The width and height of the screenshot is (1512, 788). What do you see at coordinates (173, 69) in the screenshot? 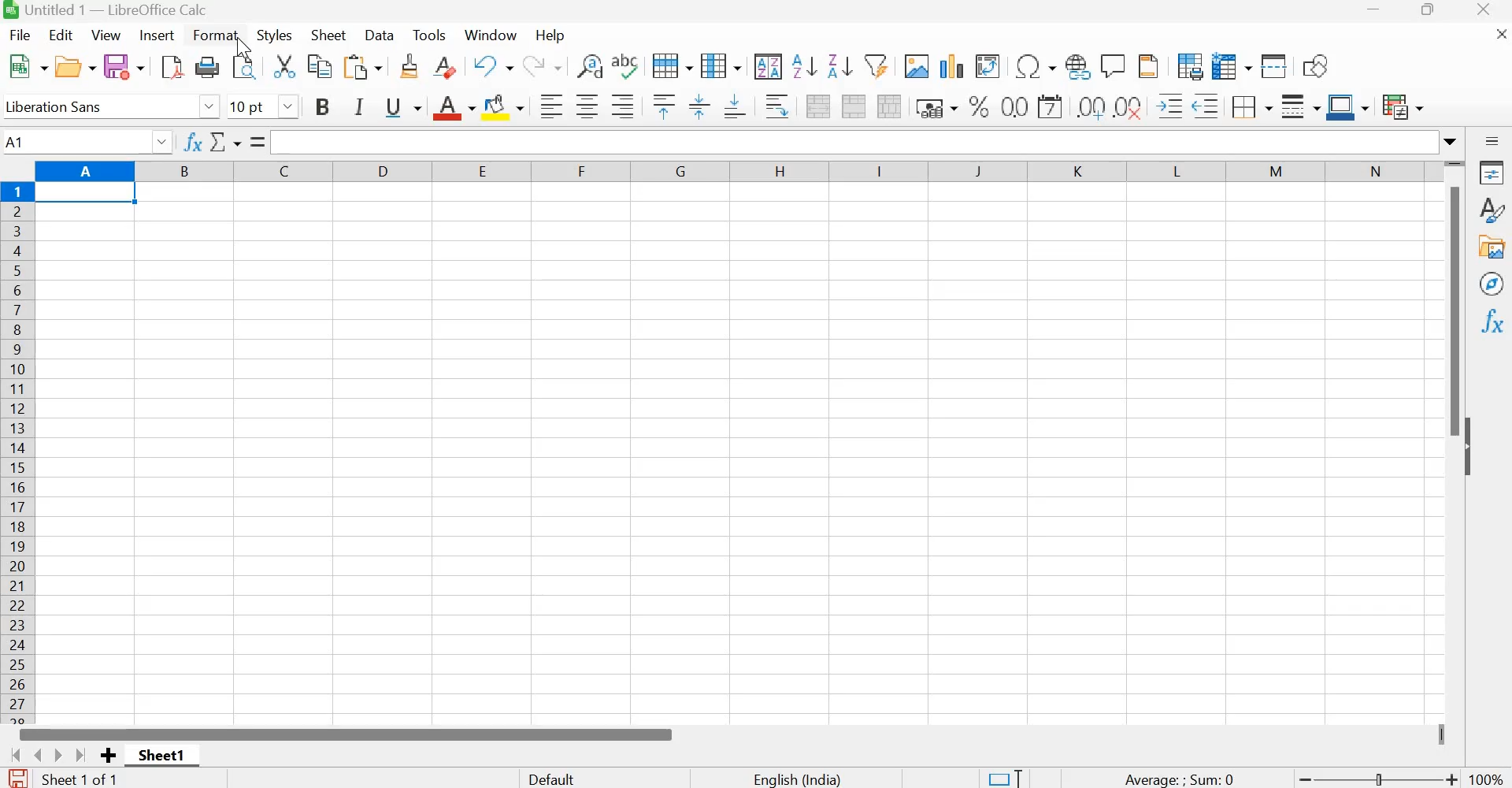
I see `Export directly as PDF` at bounding box center [173, 69].